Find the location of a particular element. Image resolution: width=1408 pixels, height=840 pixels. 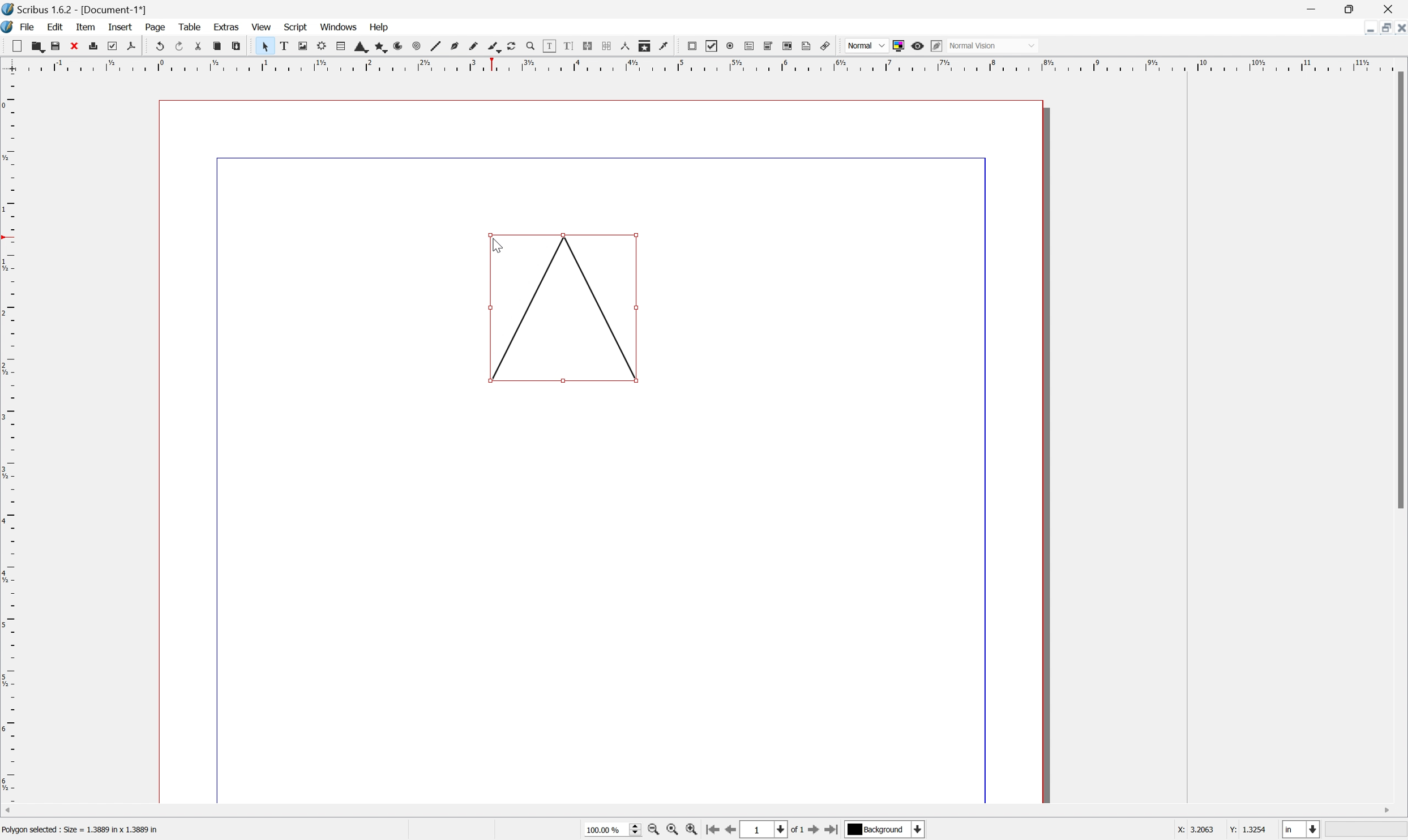

Save is located at coordinates (55, 44).